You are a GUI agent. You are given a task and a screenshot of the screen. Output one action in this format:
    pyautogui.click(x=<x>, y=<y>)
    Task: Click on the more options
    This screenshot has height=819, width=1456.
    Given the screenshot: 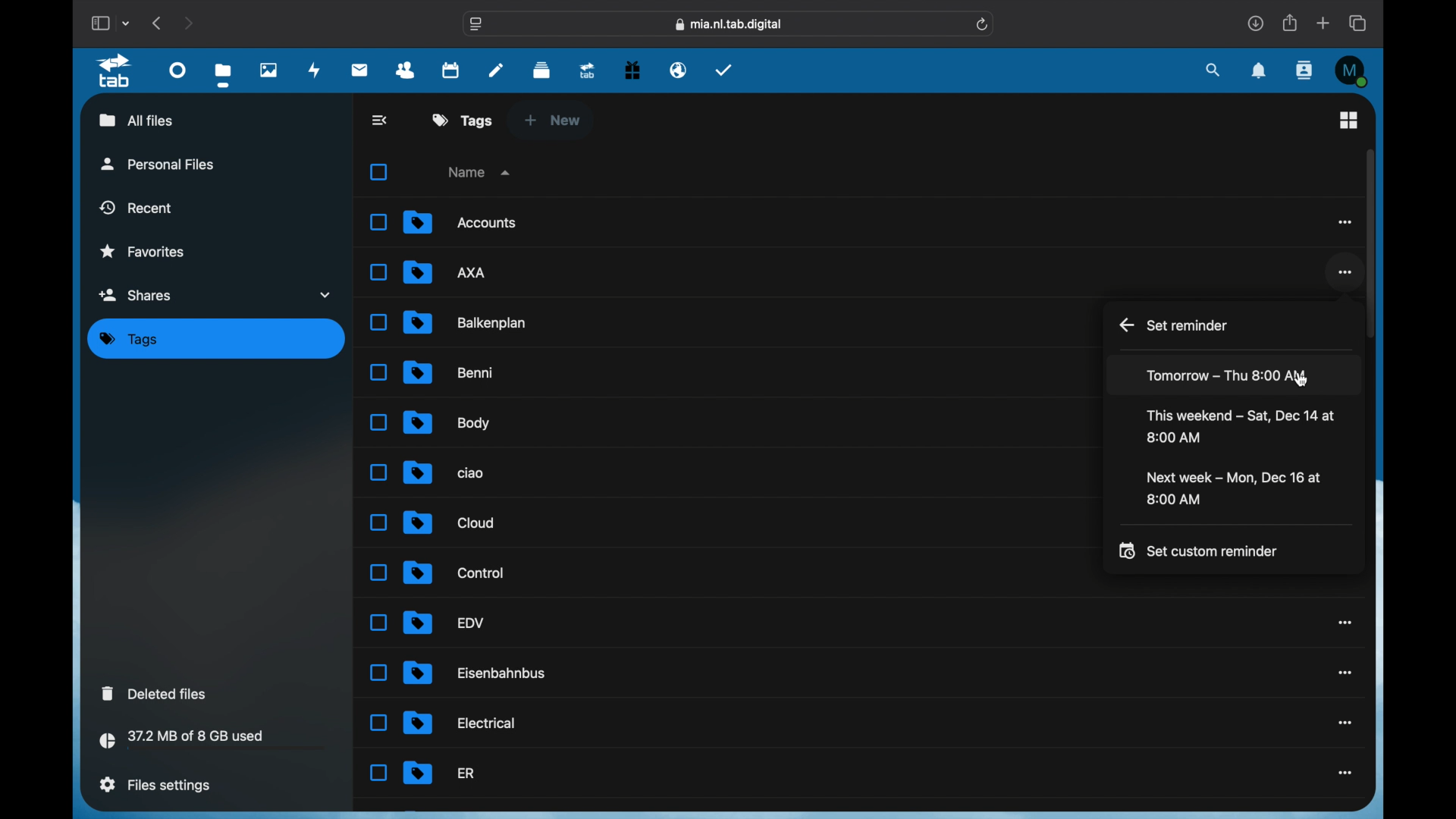 What is the action you would take?
    pyautogui.click(x=1343, y=273)
    